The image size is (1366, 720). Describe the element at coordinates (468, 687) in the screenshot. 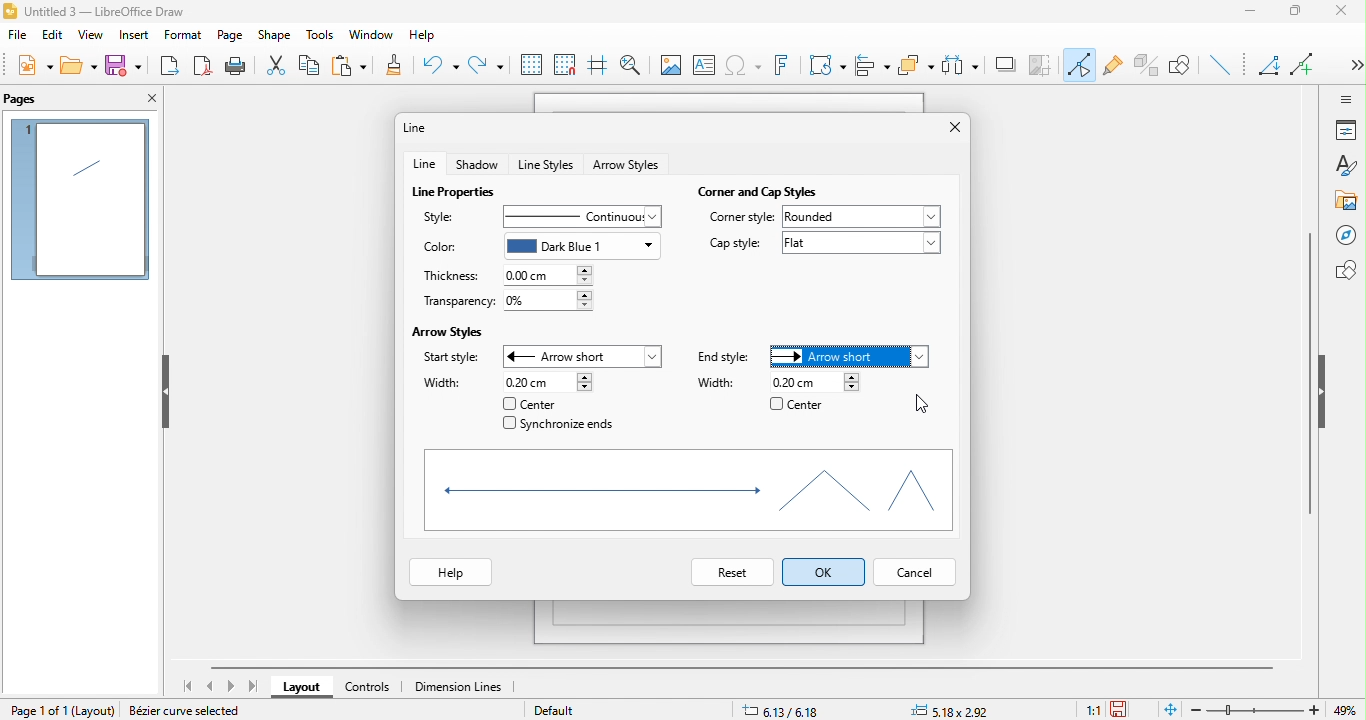

I see `dimension line` at that location.